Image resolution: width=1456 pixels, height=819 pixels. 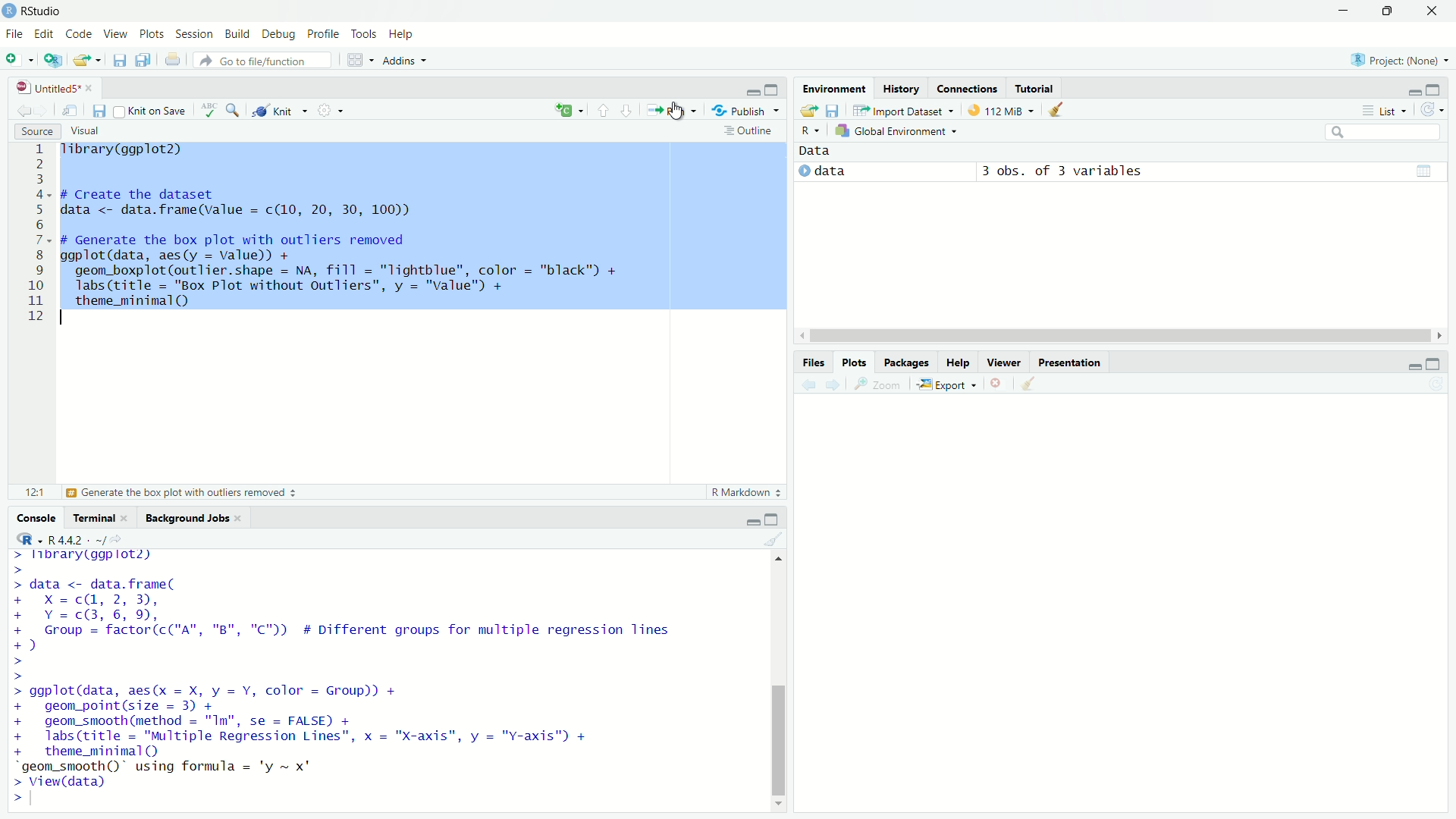 What do you see at coordinates (36, 233) in the screenshot?
I see `1
2
g
4.
5
6
7
8
9
10
11
12` at bounding box center [36, 233].